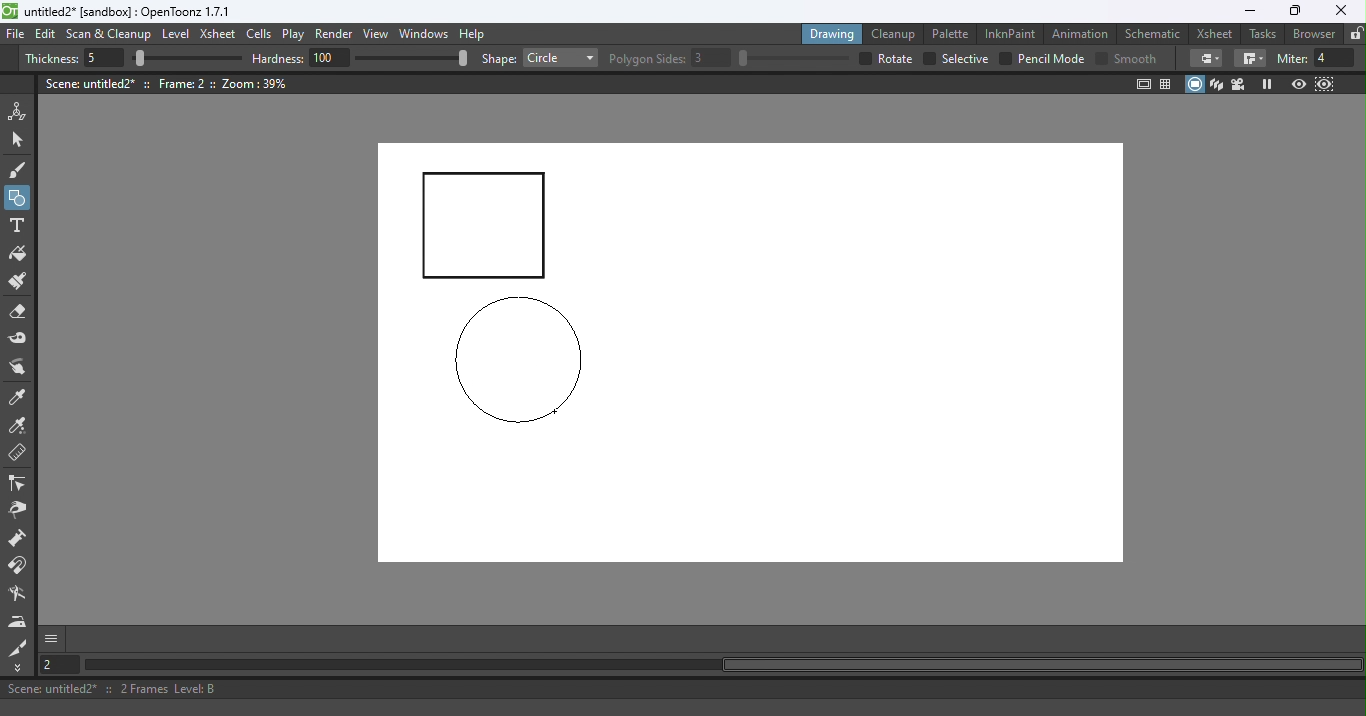 The image size is (1366, 716). I want to click on Magnet tool, so click(19, 566).